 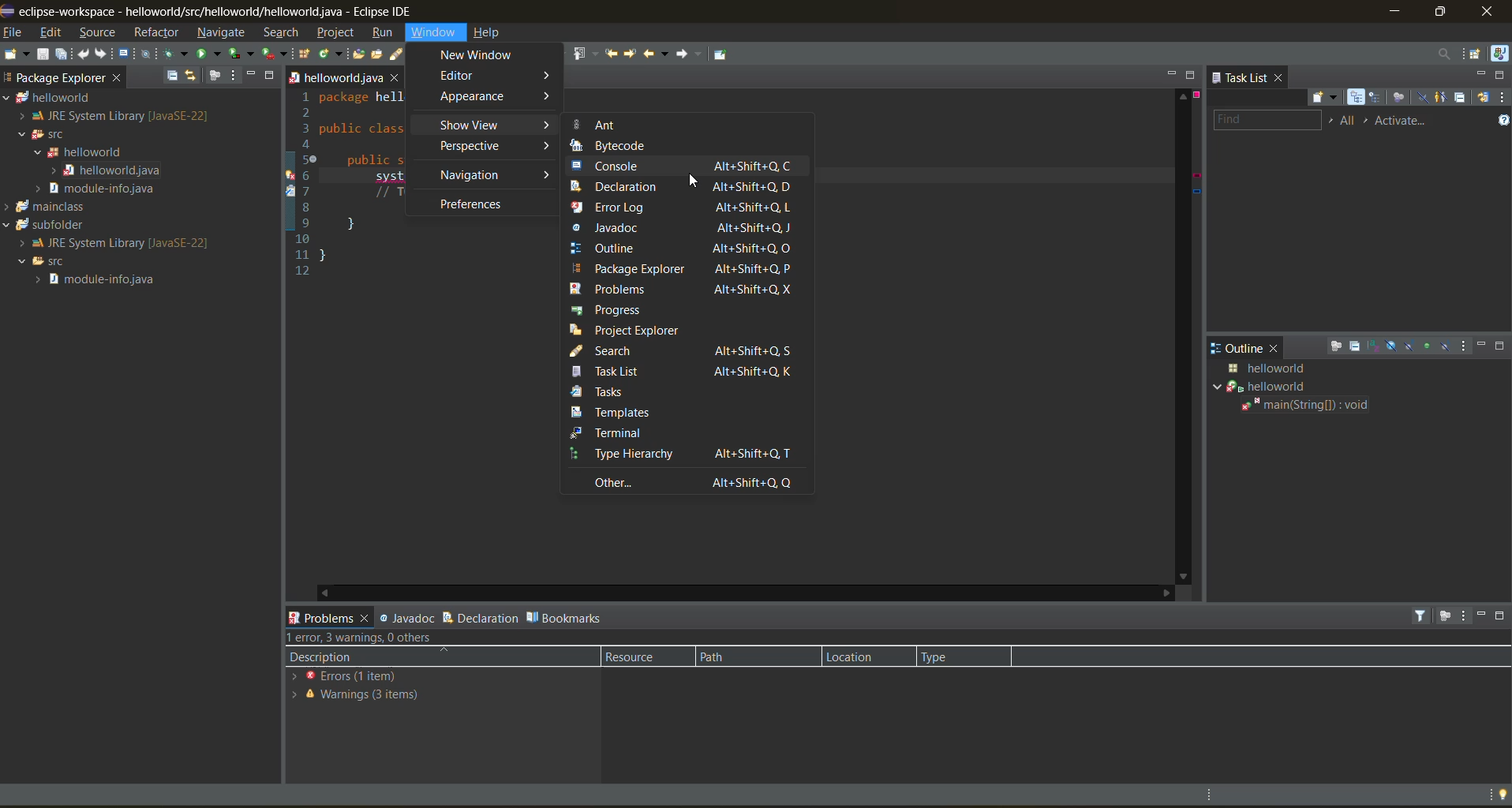 I want to click on type hierarchy, so click(x=690, y=454).